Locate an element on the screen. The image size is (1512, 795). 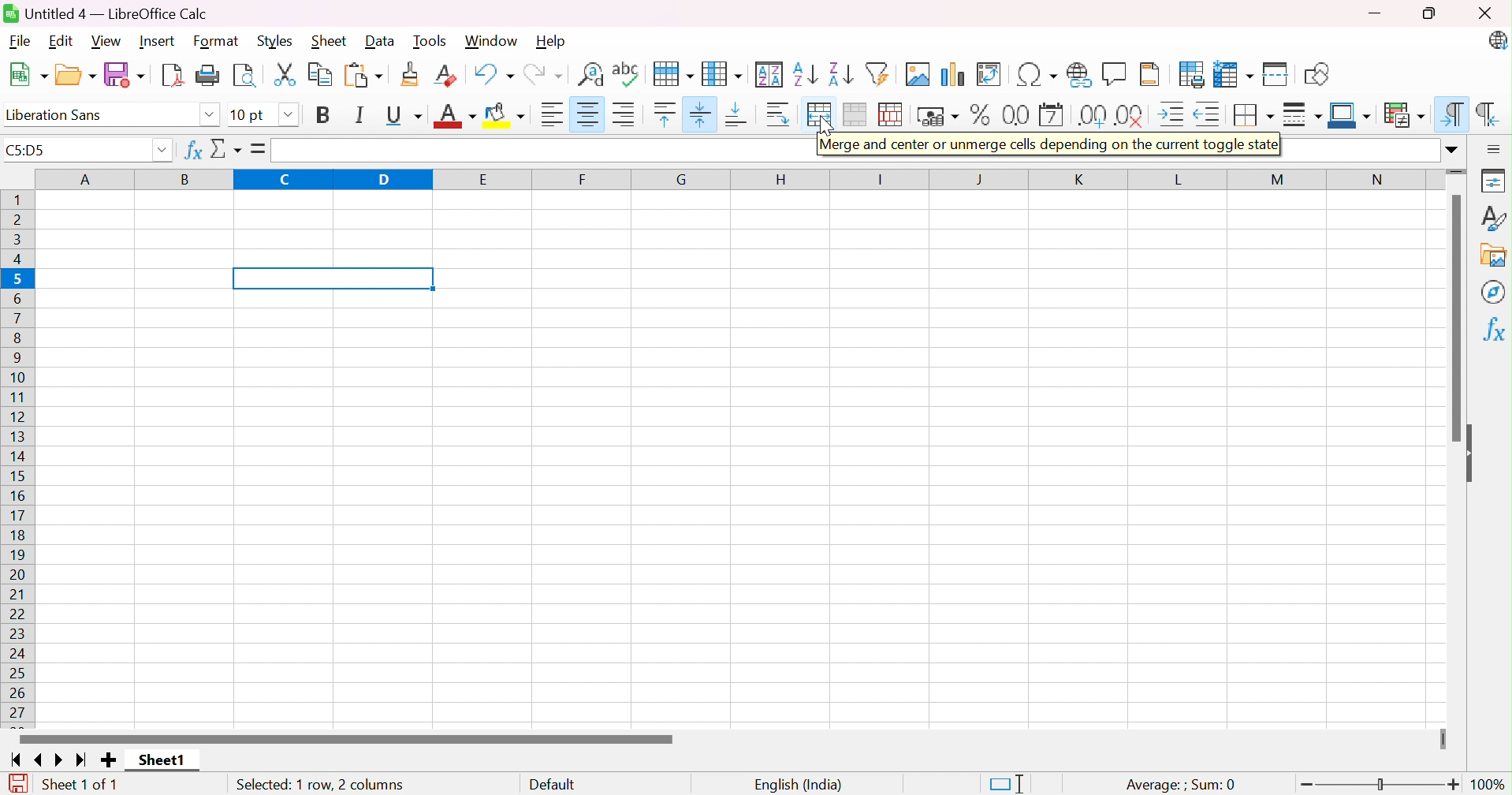
Border Style is located at coordinates (1303, 115).